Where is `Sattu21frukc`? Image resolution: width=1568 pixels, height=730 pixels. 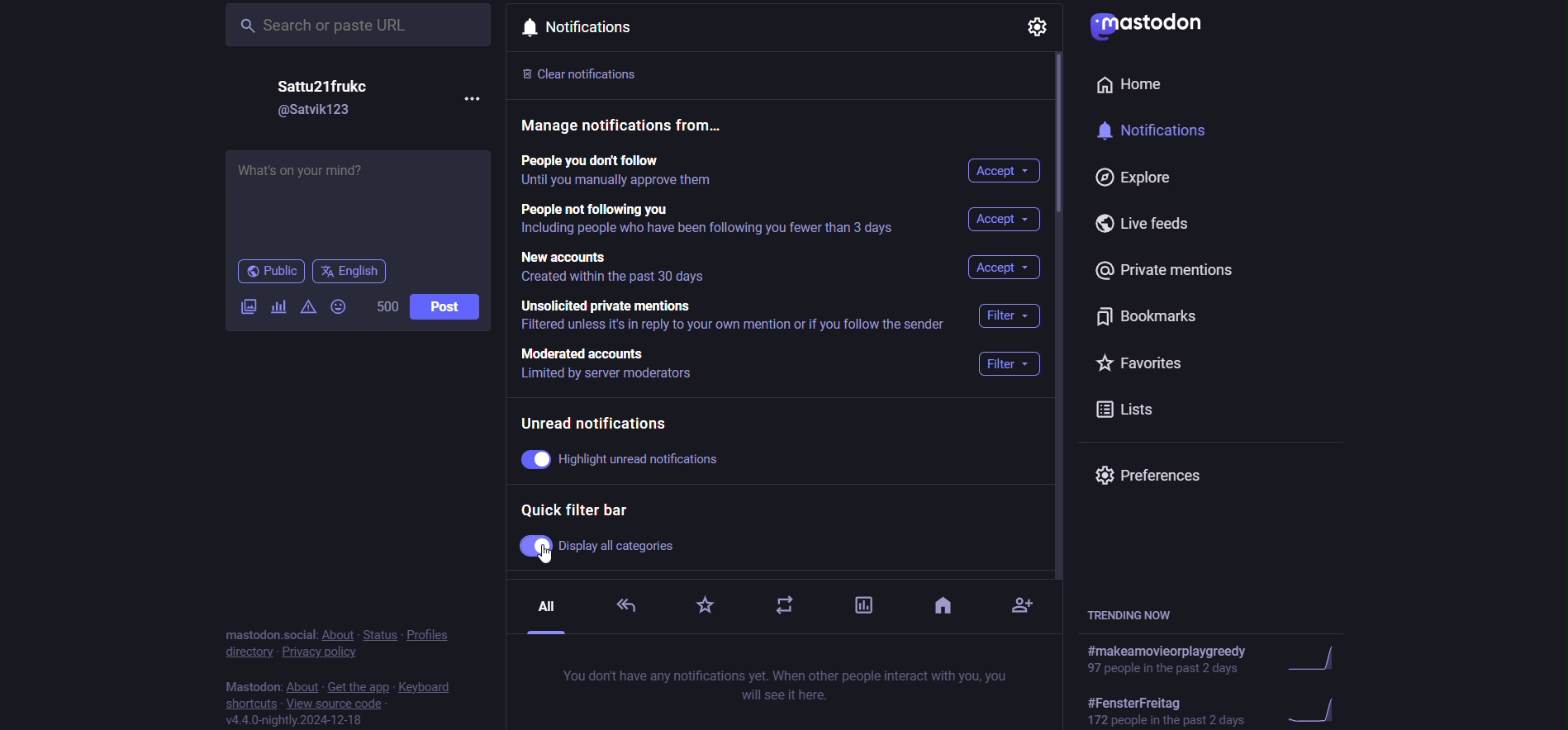
Sattu21frukc is located at coordinates (330, 86).